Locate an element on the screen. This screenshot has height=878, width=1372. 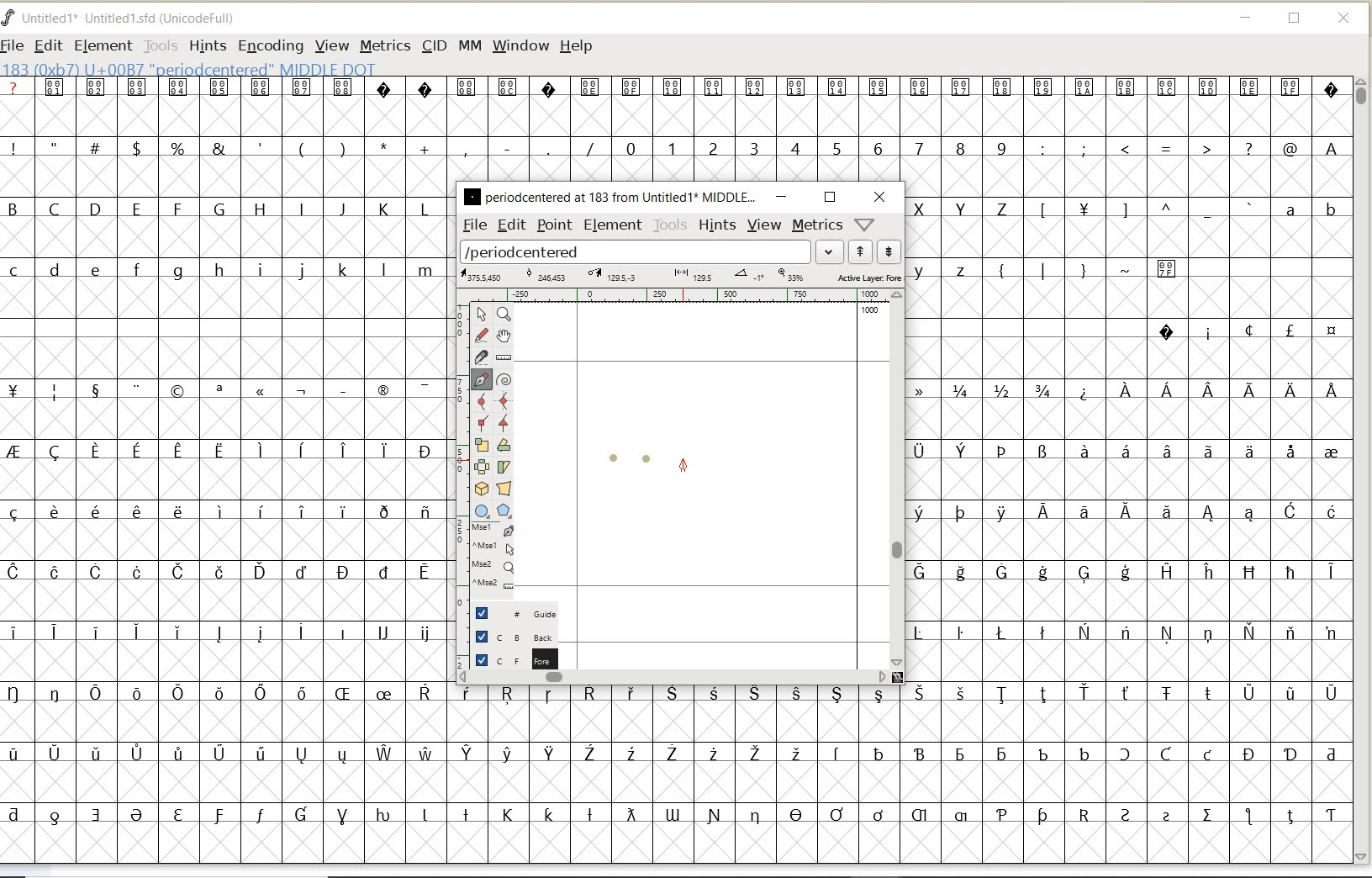
special characters is located at coordinates (1193, 149).